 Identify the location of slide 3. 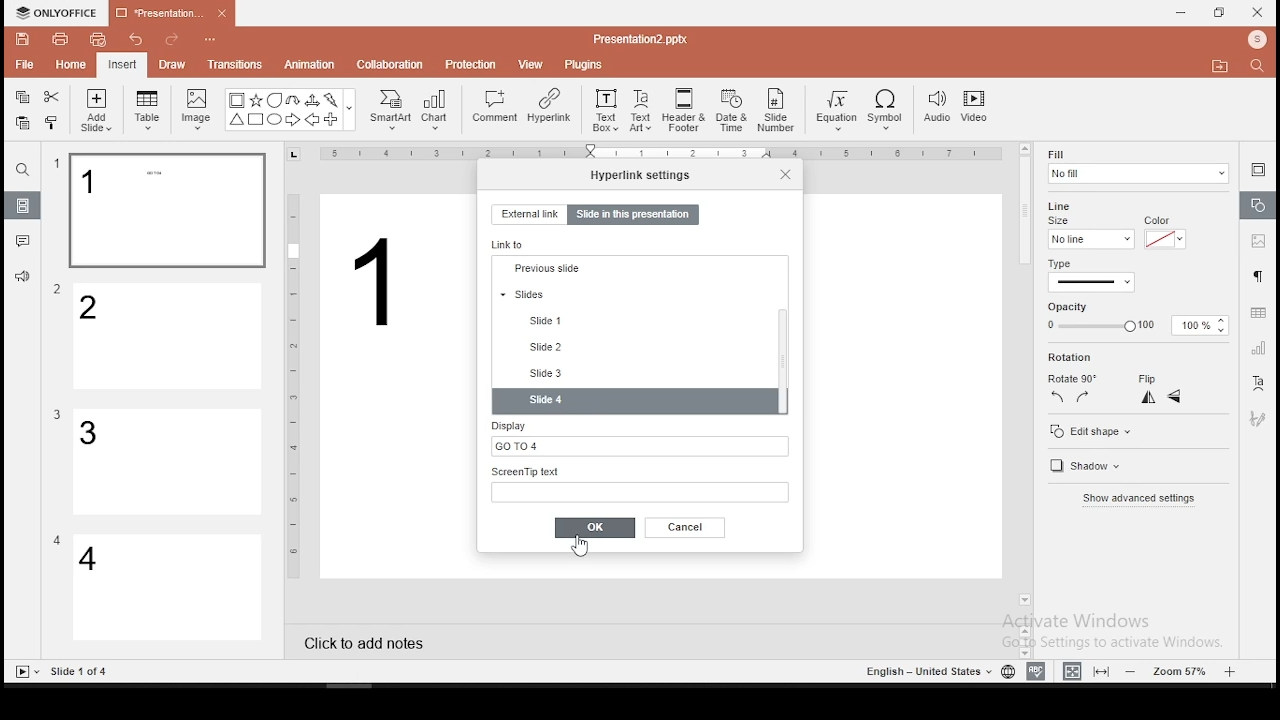
(165, 462).